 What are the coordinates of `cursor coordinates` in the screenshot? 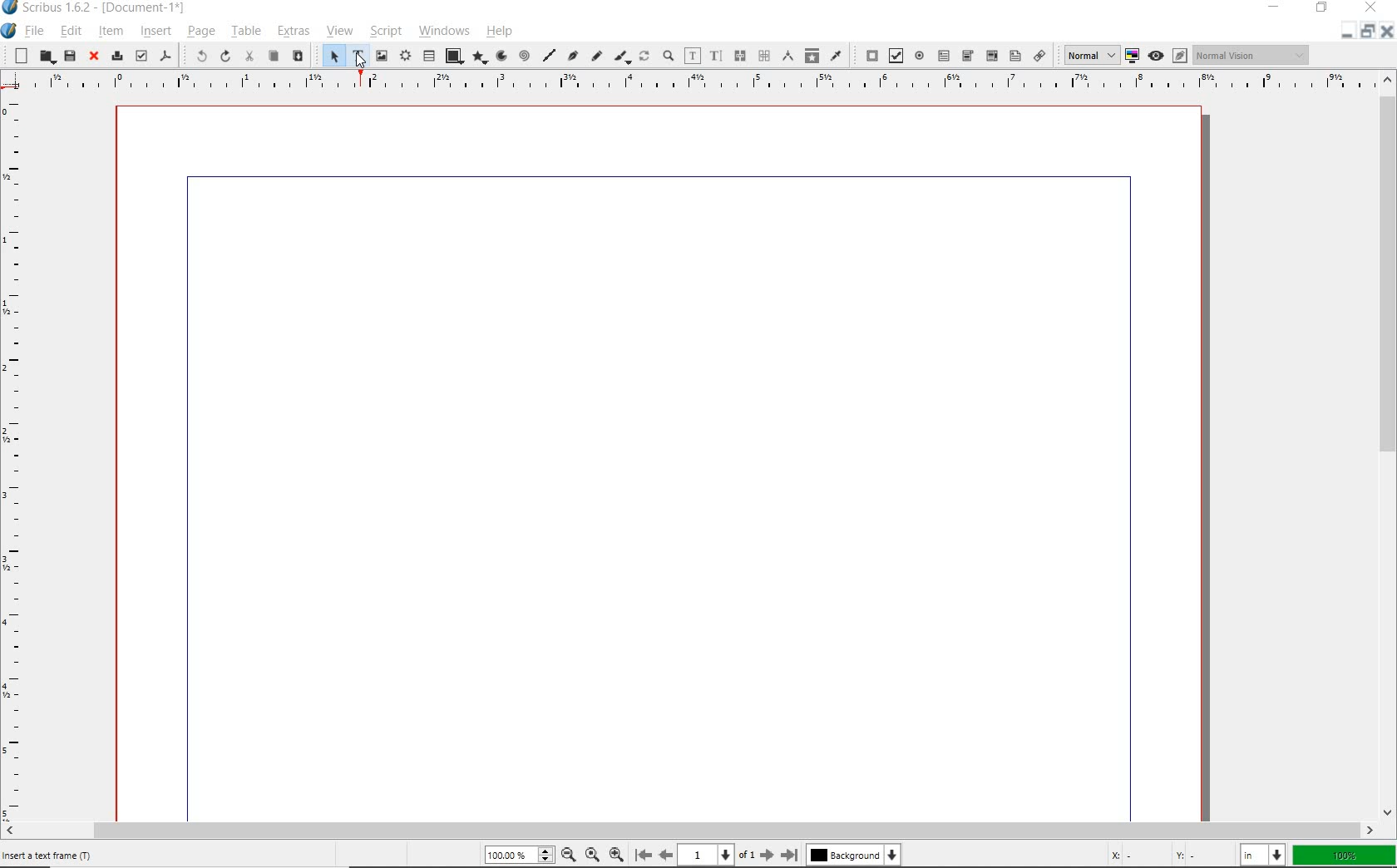 It's located at (1164, 855).